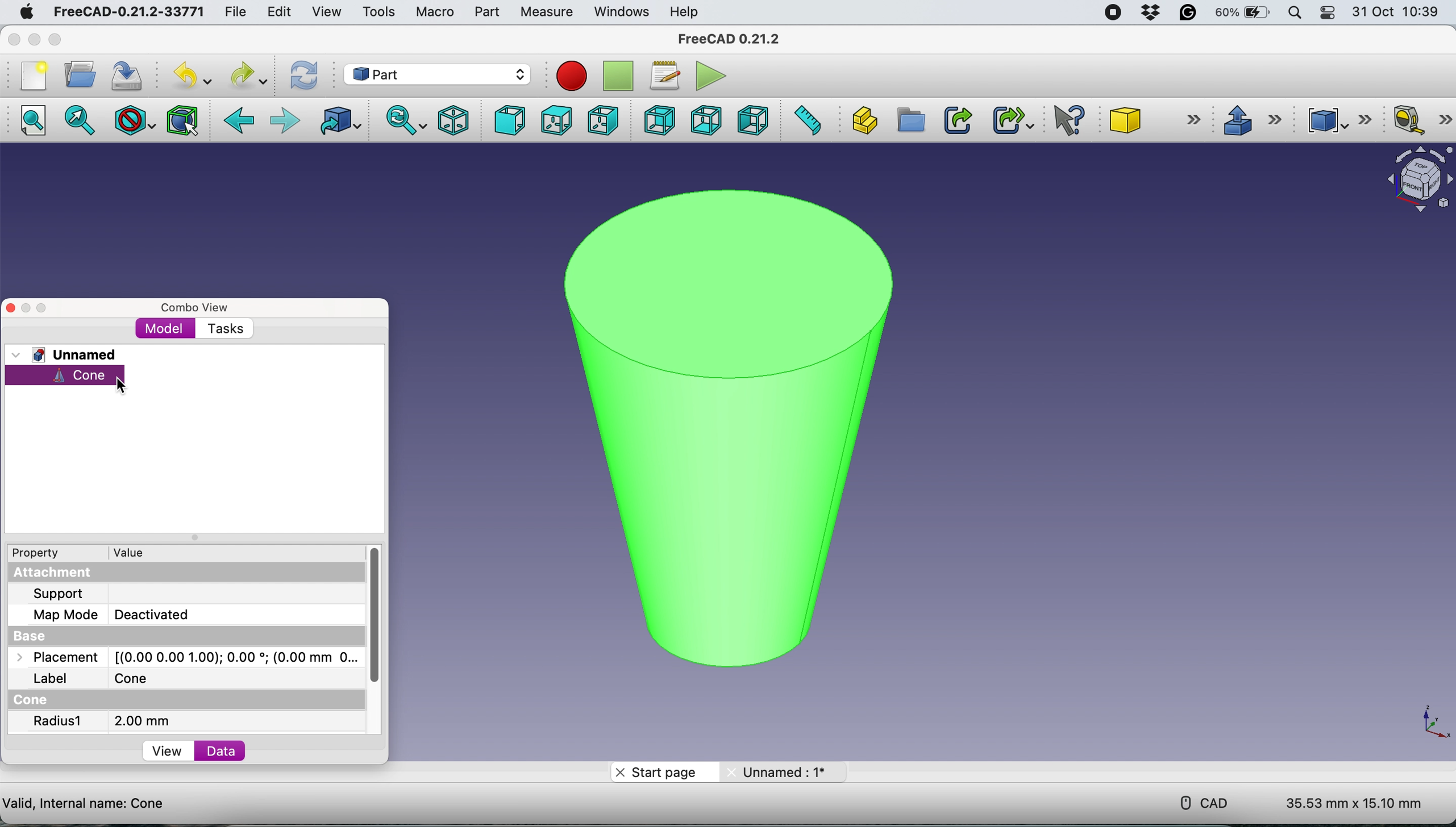 This screenshot has width=1456, height=827. I want to click on undo, so click(188, 76).